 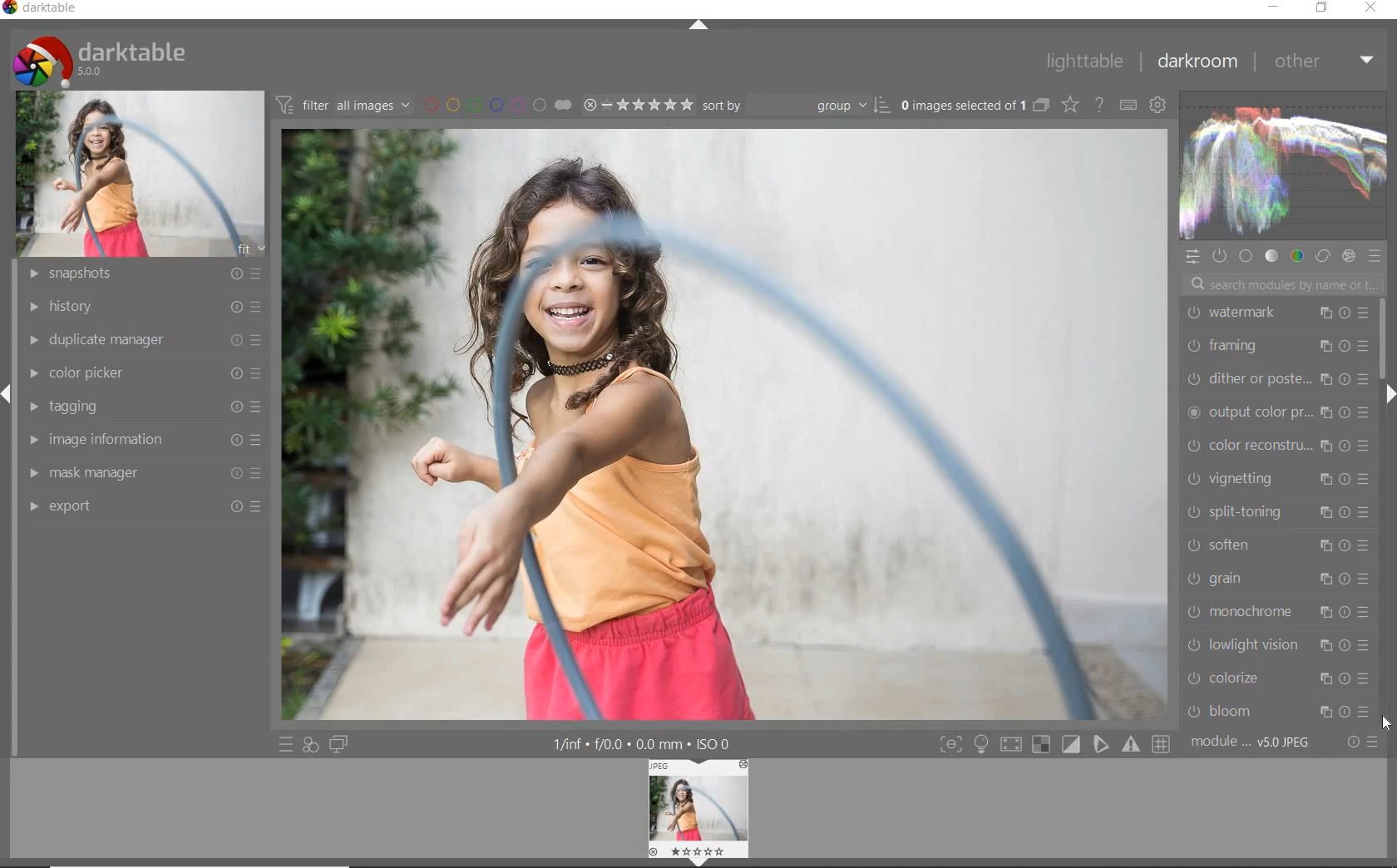 I want to click on module order, so click(x=1253, y=743).